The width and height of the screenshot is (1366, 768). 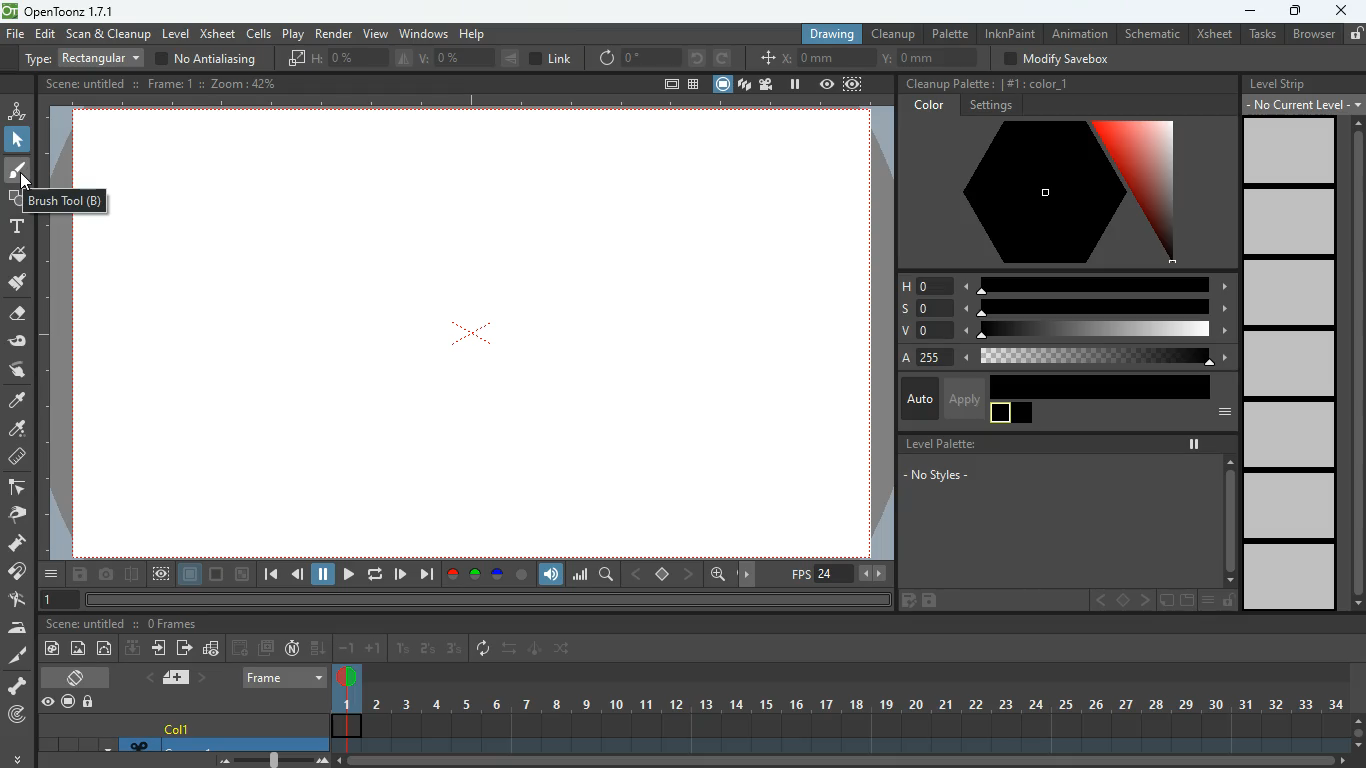 What do you see at coordinates (243, 575) in the screenshot?
I see `size` at bounding box center [243, 575].